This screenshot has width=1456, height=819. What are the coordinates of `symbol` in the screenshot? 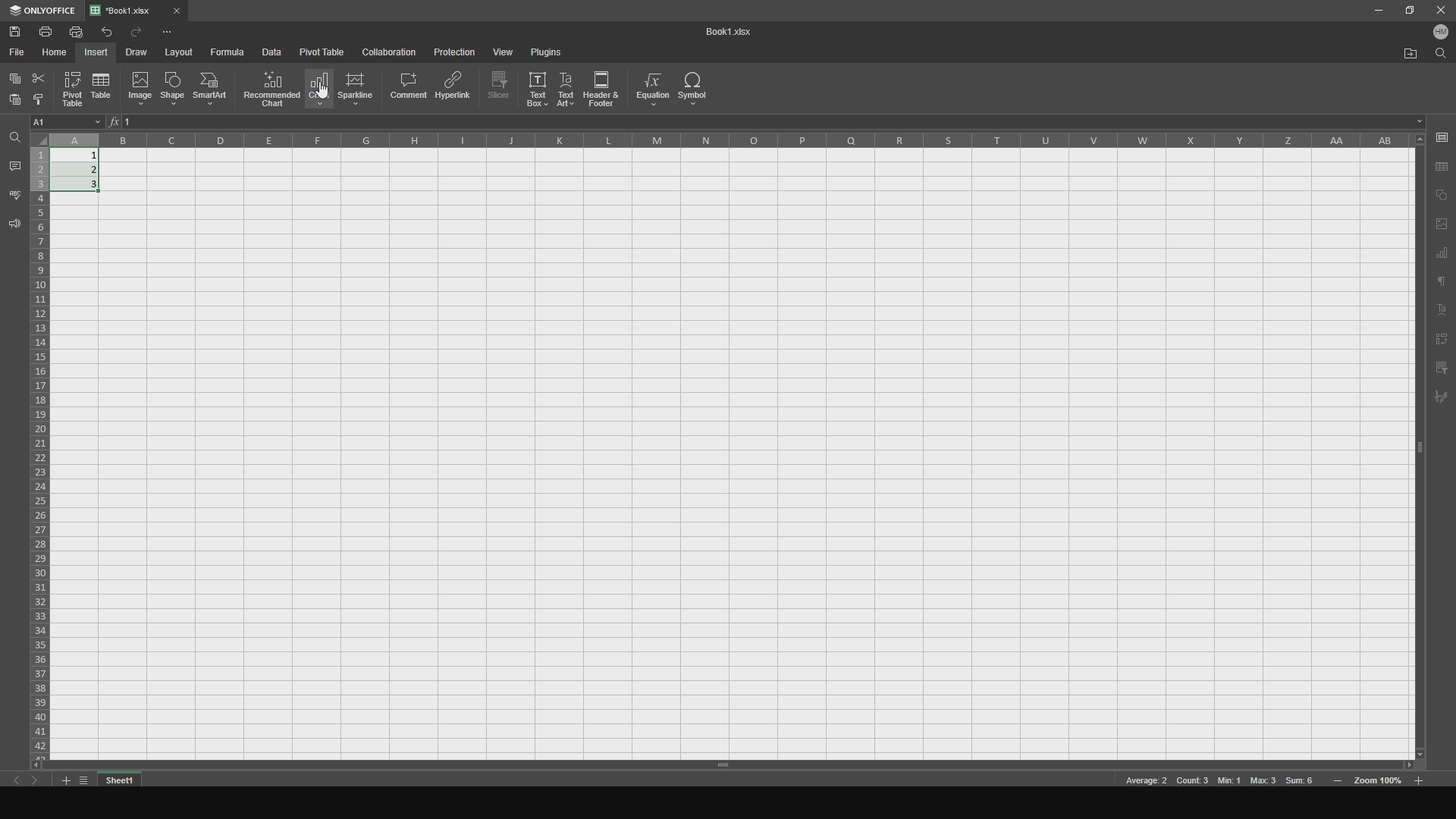 It's located at (696, 88).